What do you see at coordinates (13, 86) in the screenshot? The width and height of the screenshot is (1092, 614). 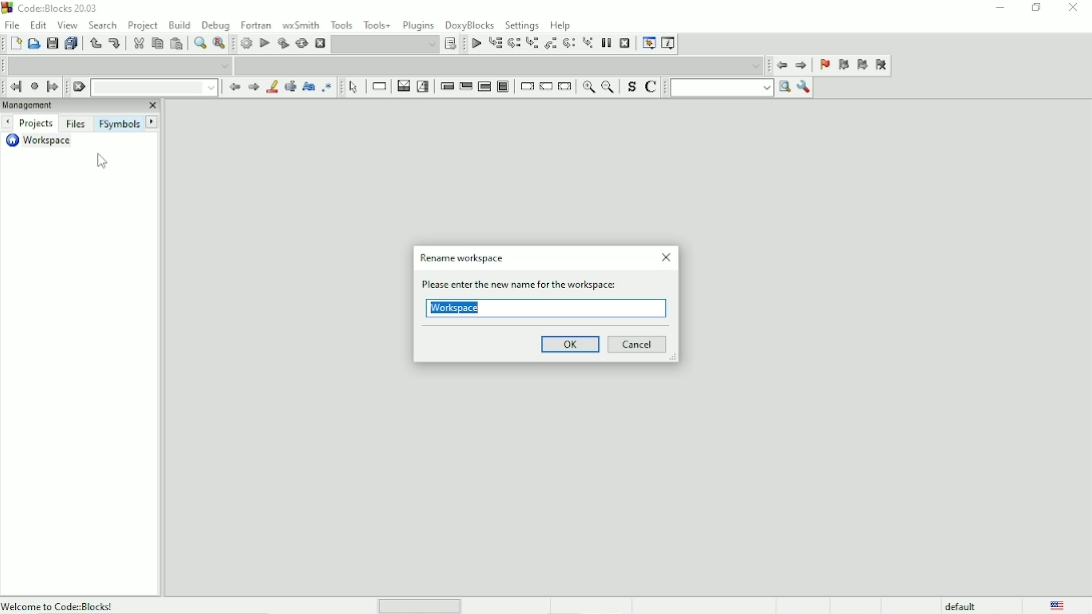 I see `Jump back` at bounding box center [13, 86].